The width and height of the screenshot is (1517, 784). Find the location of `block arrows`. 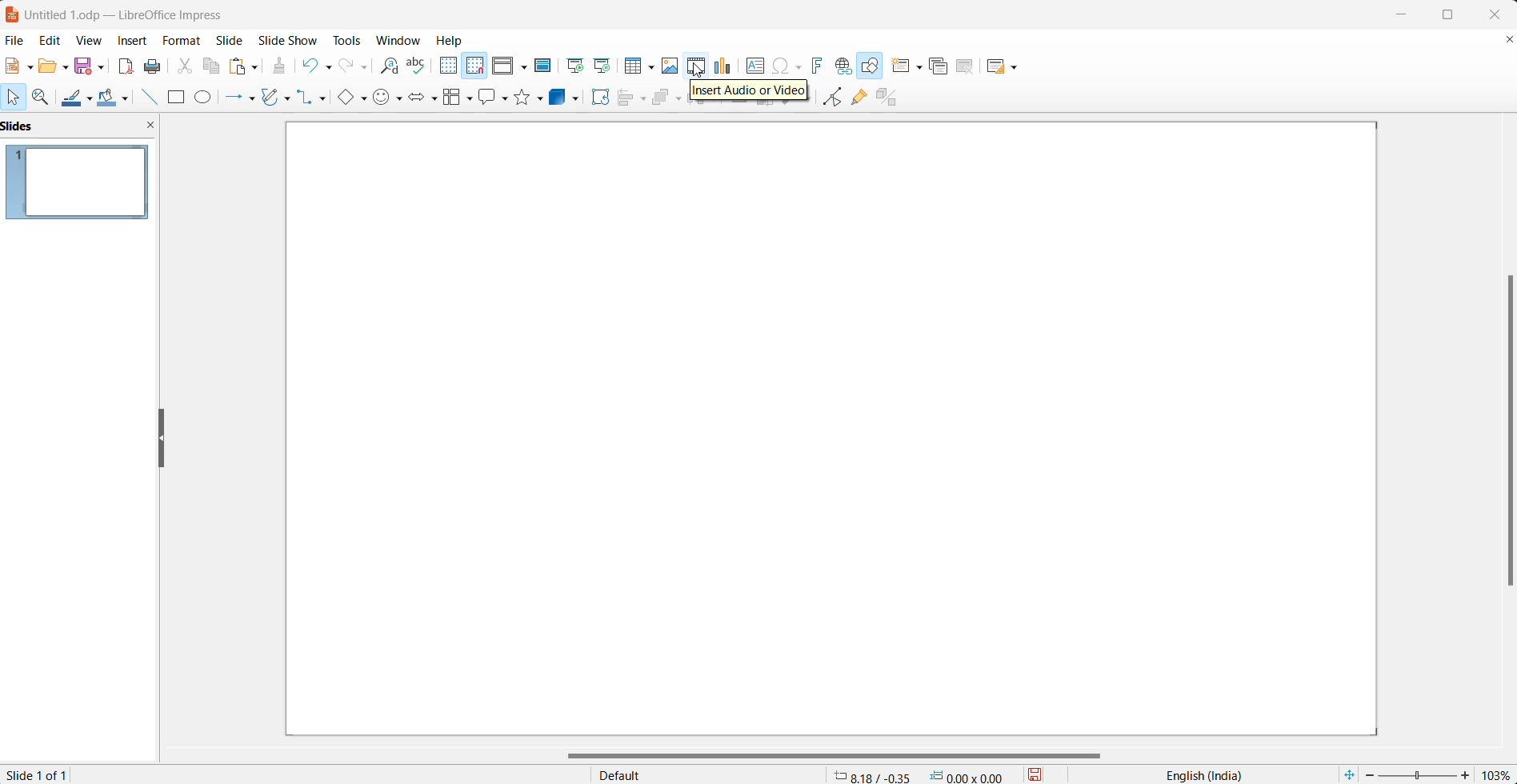

block arrows is located at coordinates (419, 99).